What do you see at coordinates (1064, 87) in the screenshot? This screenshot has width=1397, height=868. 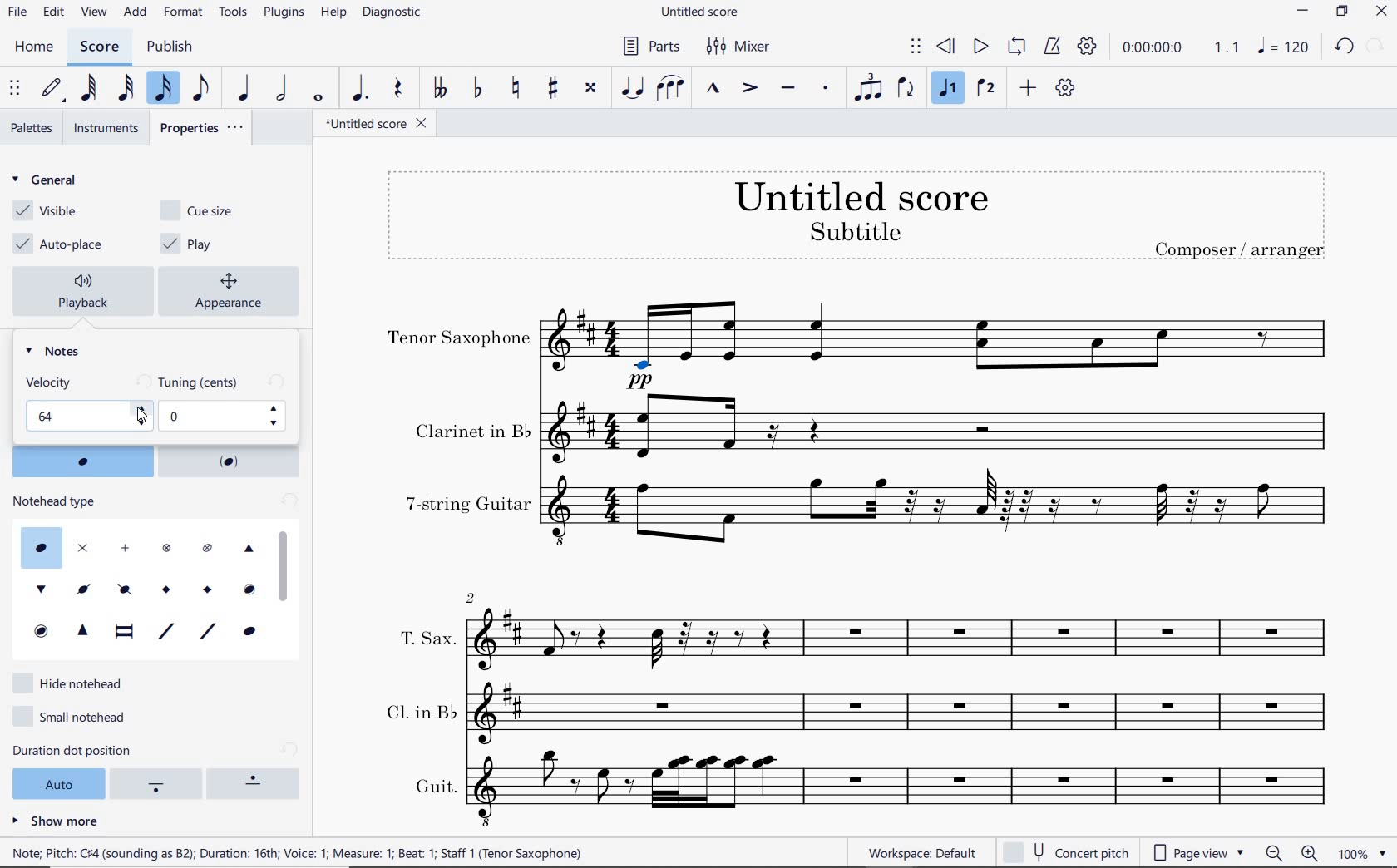 I see `CUSTOMIZE TOOLBAR` at bounding box center [1064, 87].